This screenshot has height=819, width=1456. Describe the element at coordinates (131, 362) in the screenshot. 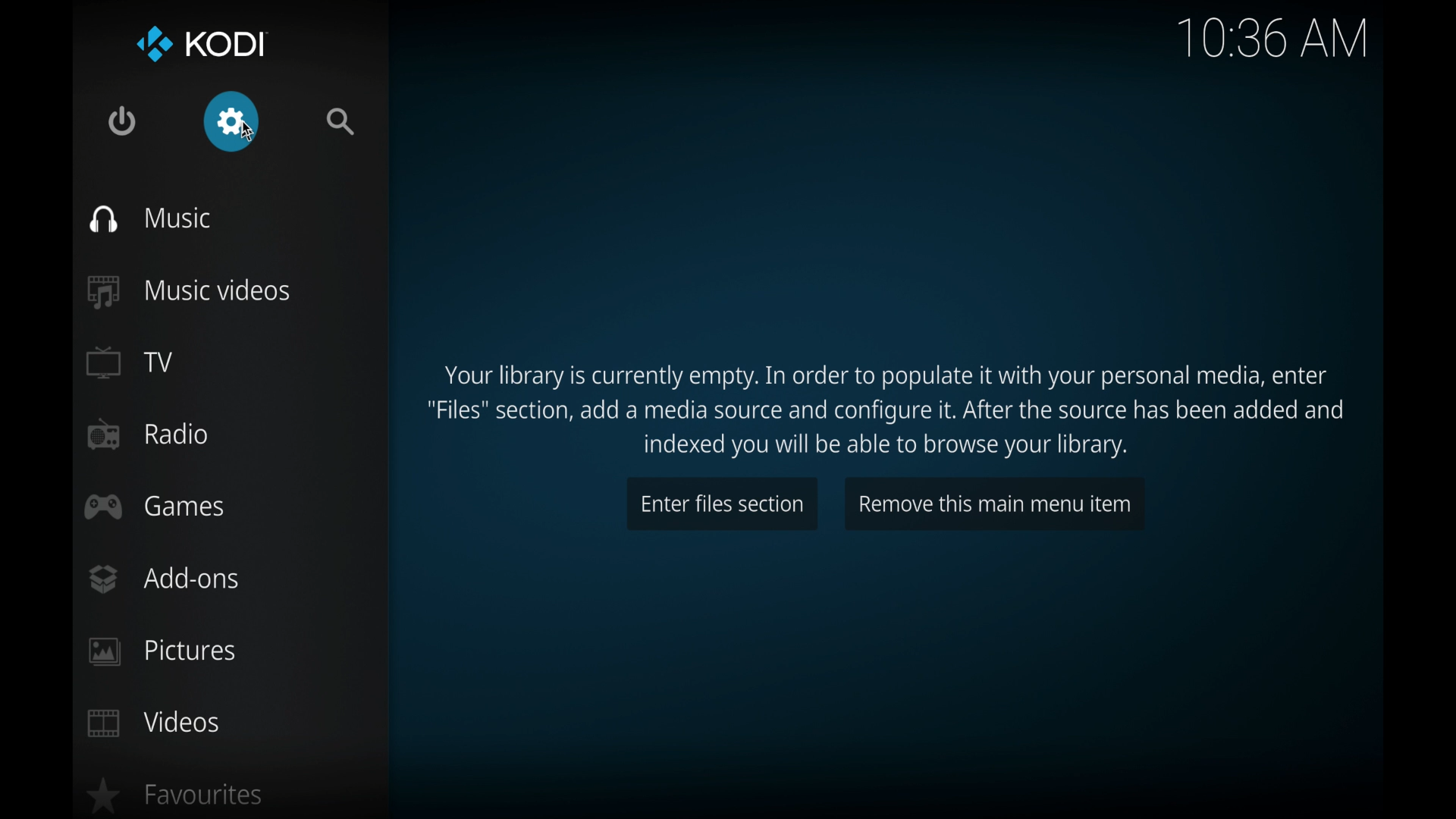

I see `Tv` at that location.